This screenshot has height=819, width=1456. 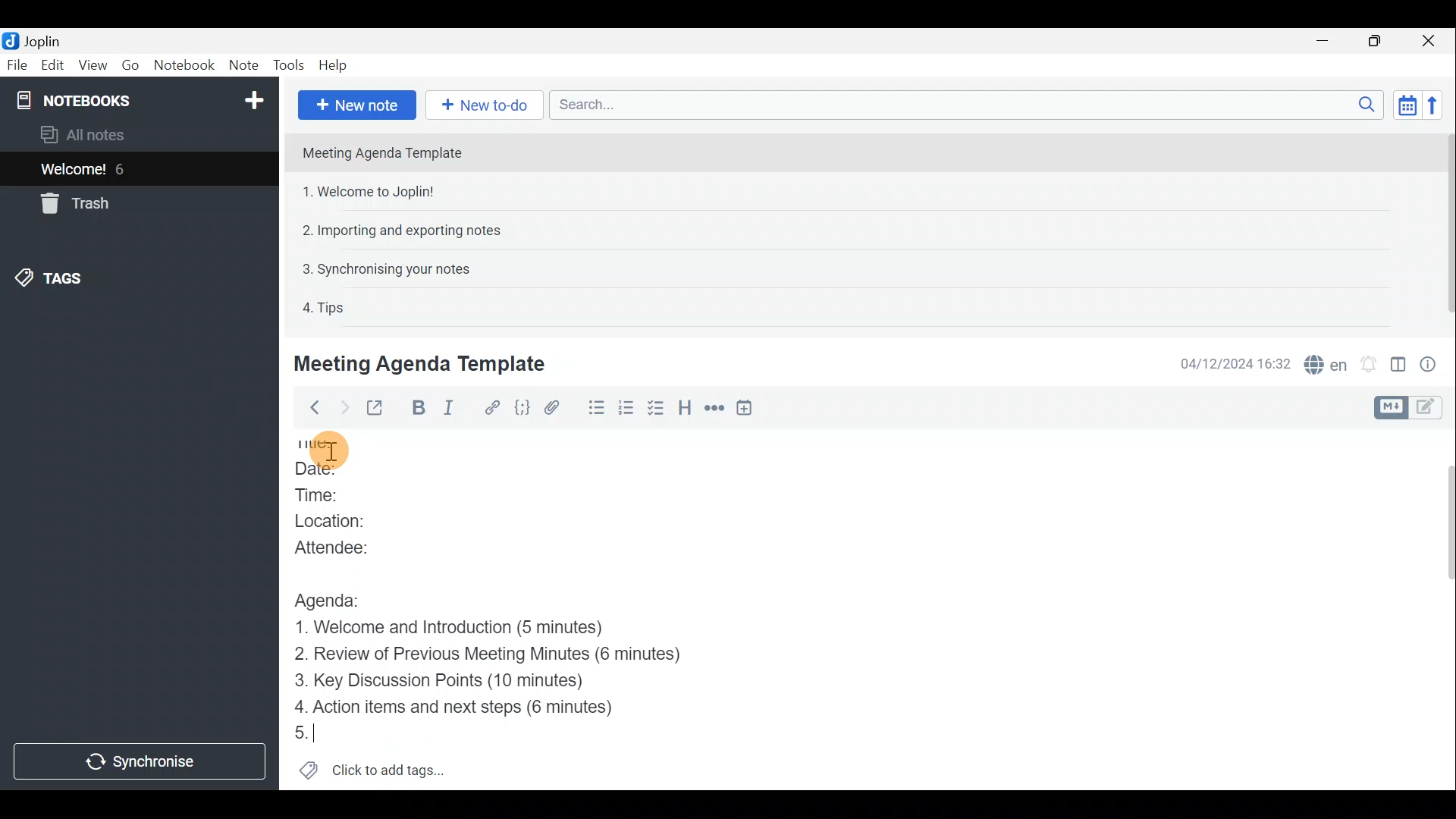 I want to click on Click to add tags, so click(x=393, y=767).